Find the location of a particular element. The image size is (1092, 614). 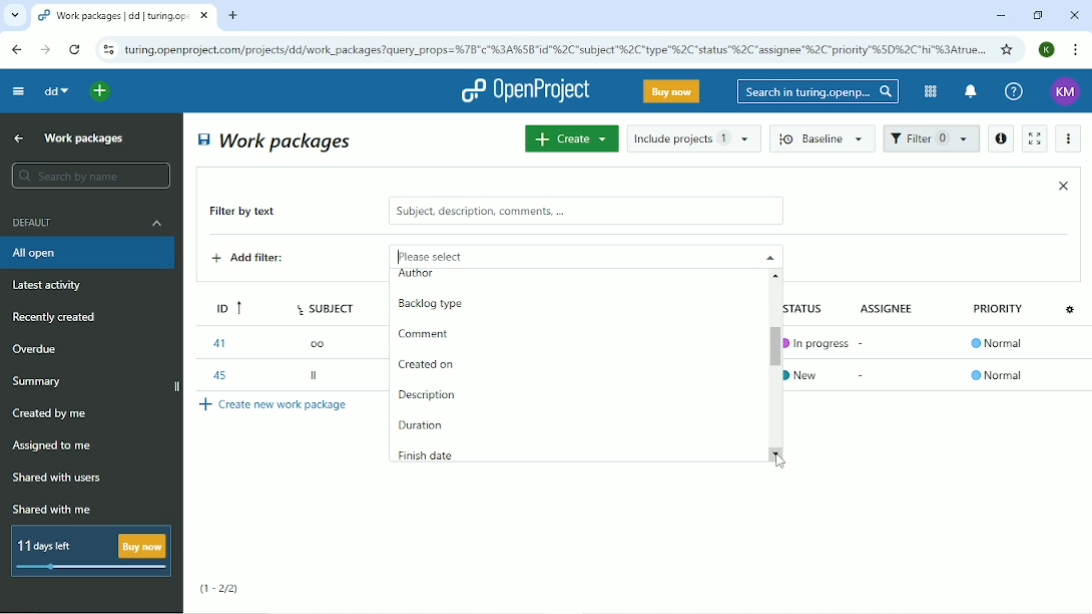

oo is located at coordinates (323, 342).